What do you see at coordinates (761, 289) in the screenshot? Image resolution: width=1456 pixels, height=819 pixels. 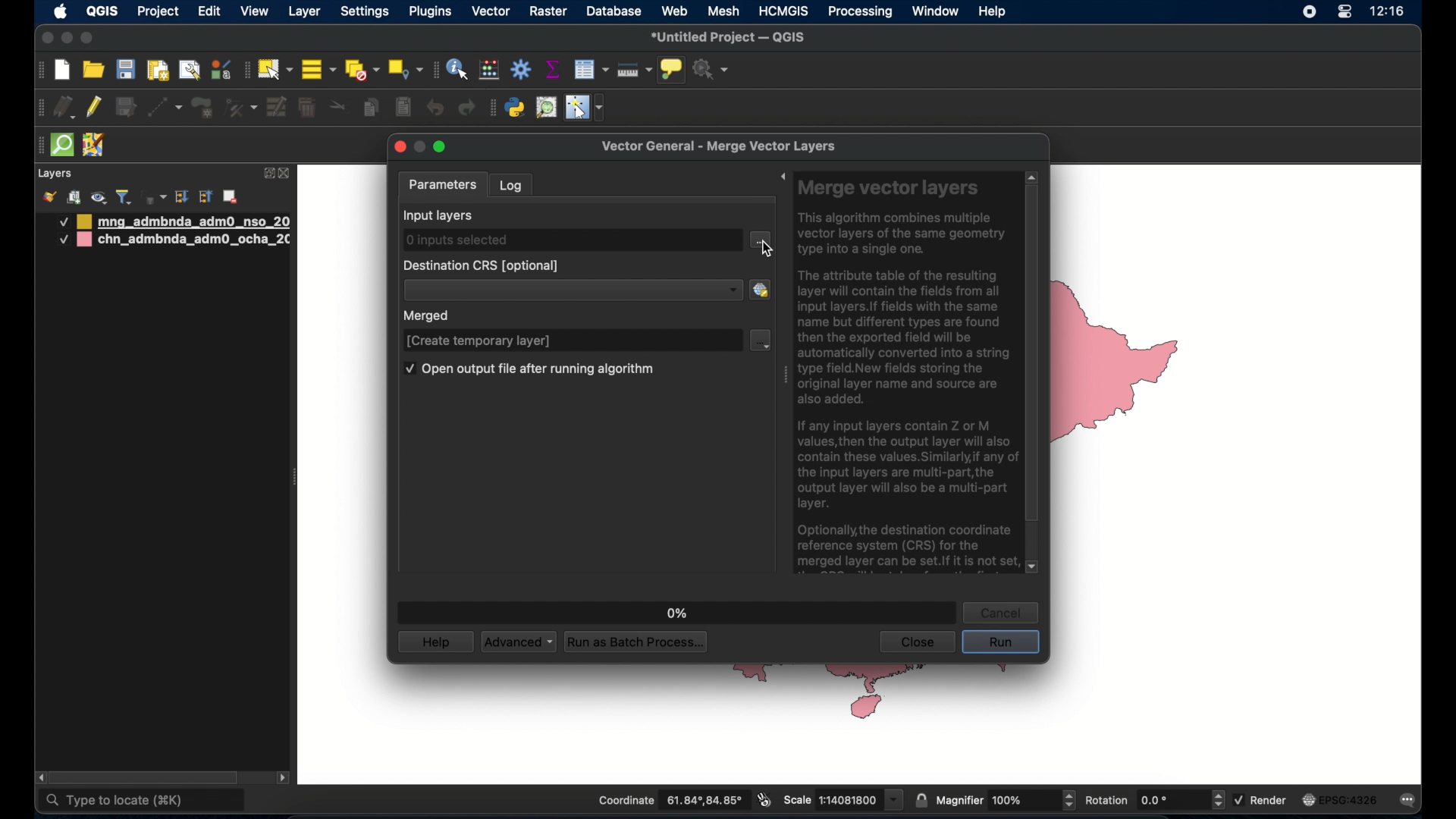 I see `select crs` at bounding box center [761, 289].